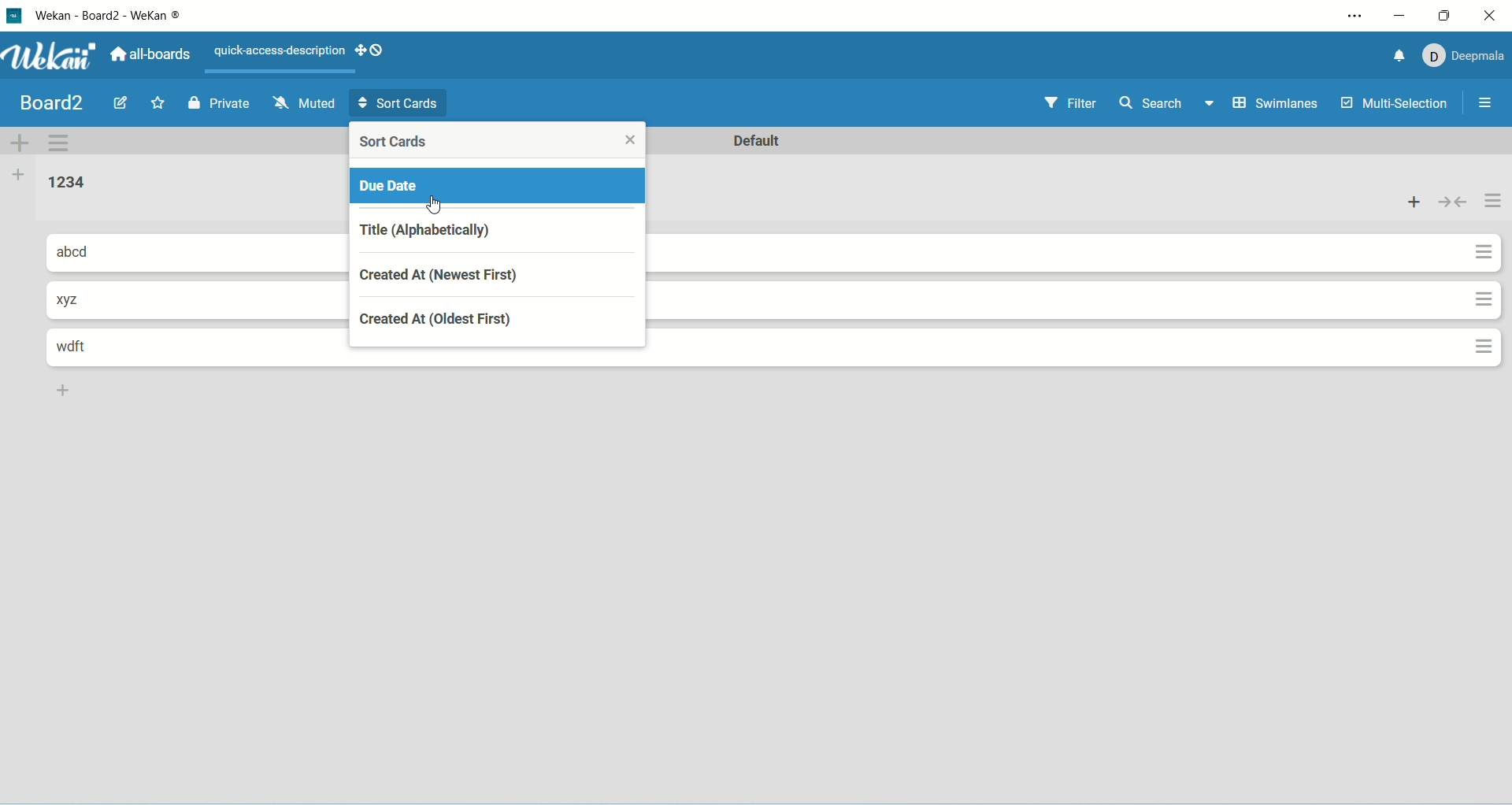  Describe the element at coordinates (1468, 57) in the screenshot. I see `account` at that location.